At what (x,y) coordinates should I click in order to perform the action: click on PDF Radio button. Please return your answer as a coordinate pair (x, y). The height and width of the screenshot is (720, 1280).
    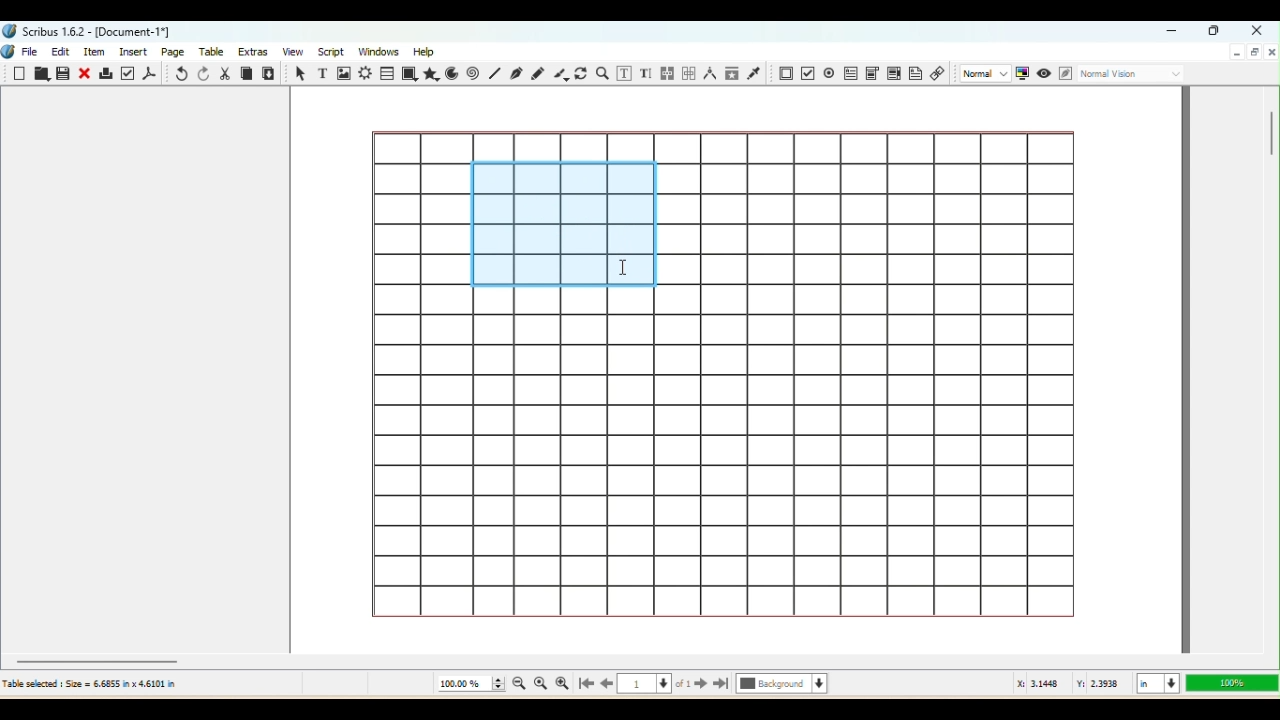
    Looking at the image, I should click on (807, 73).